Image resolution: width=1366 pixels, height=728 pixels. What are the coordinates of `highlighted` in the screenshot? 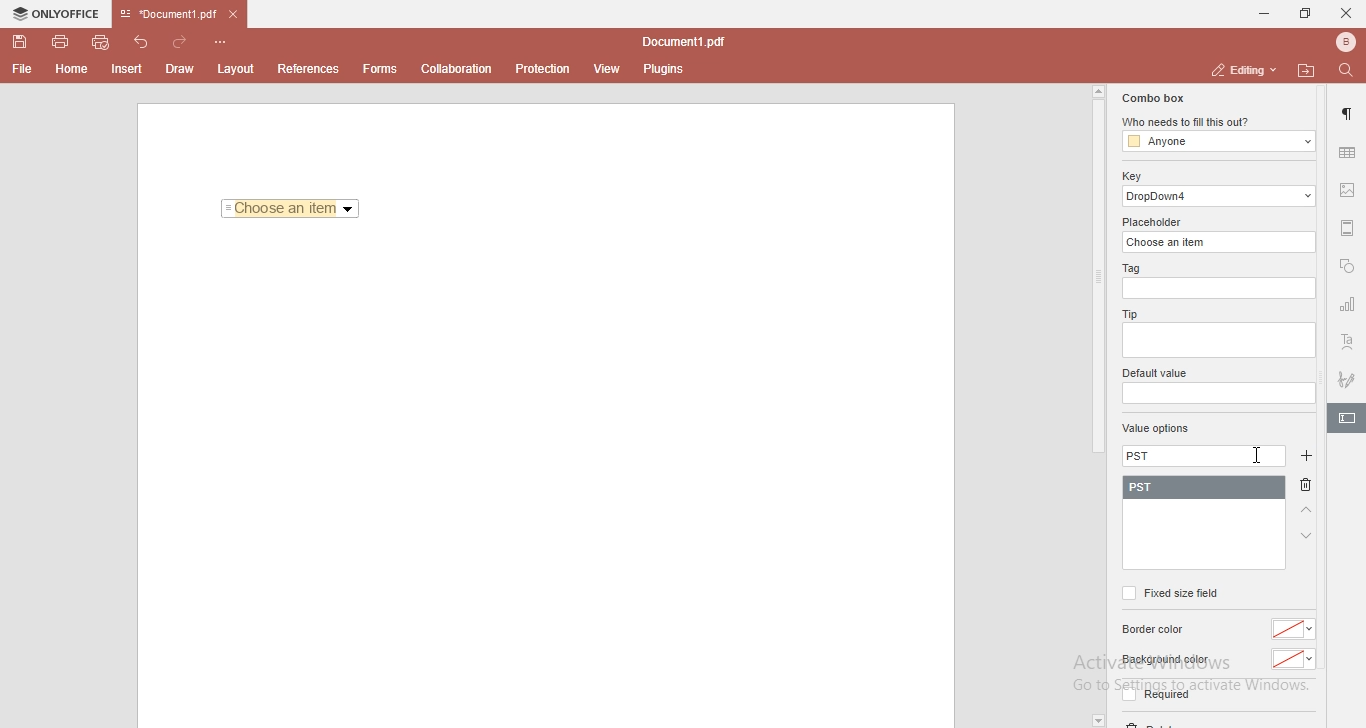 It's located at (1346, 420).